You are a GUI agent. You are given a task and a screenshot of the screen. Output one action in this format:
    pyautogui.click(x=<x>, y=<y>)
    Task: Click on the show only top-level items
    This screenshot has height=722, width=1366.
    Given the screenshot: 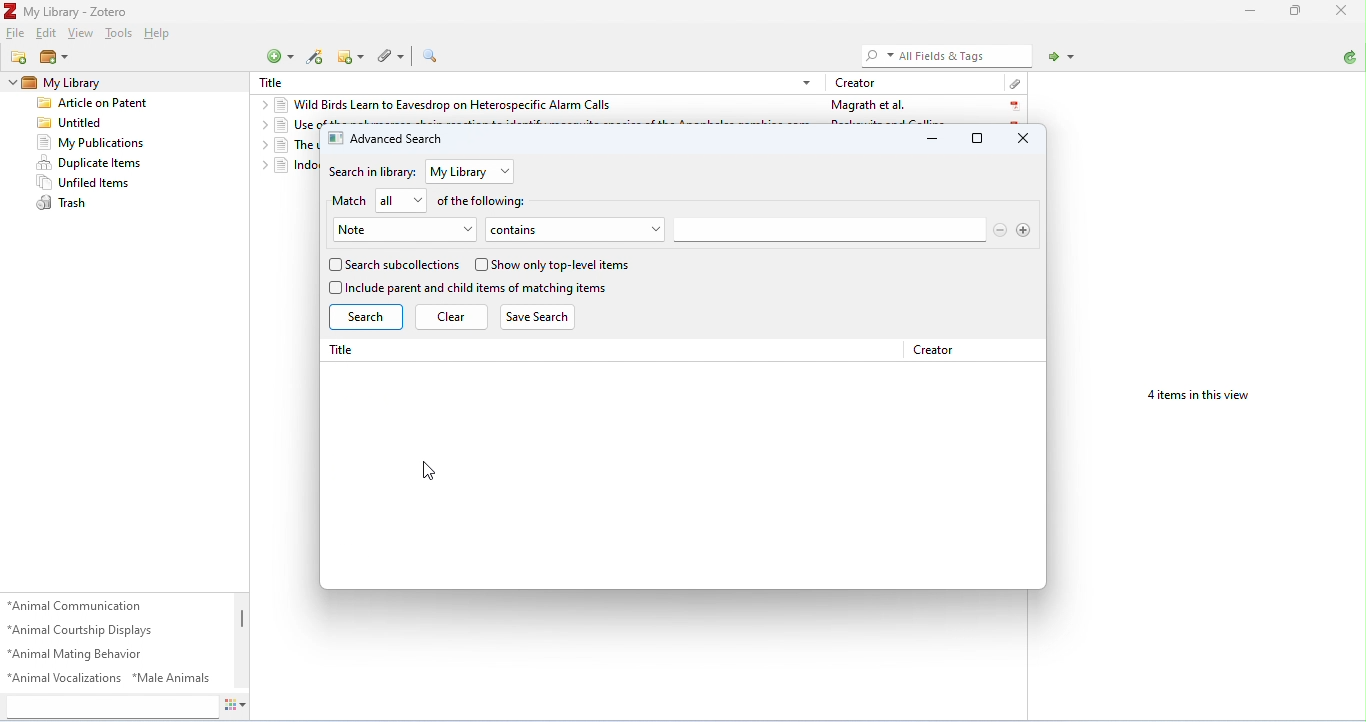 What is the action you would take?
    pyautogui.click(x=561, y=265)
    